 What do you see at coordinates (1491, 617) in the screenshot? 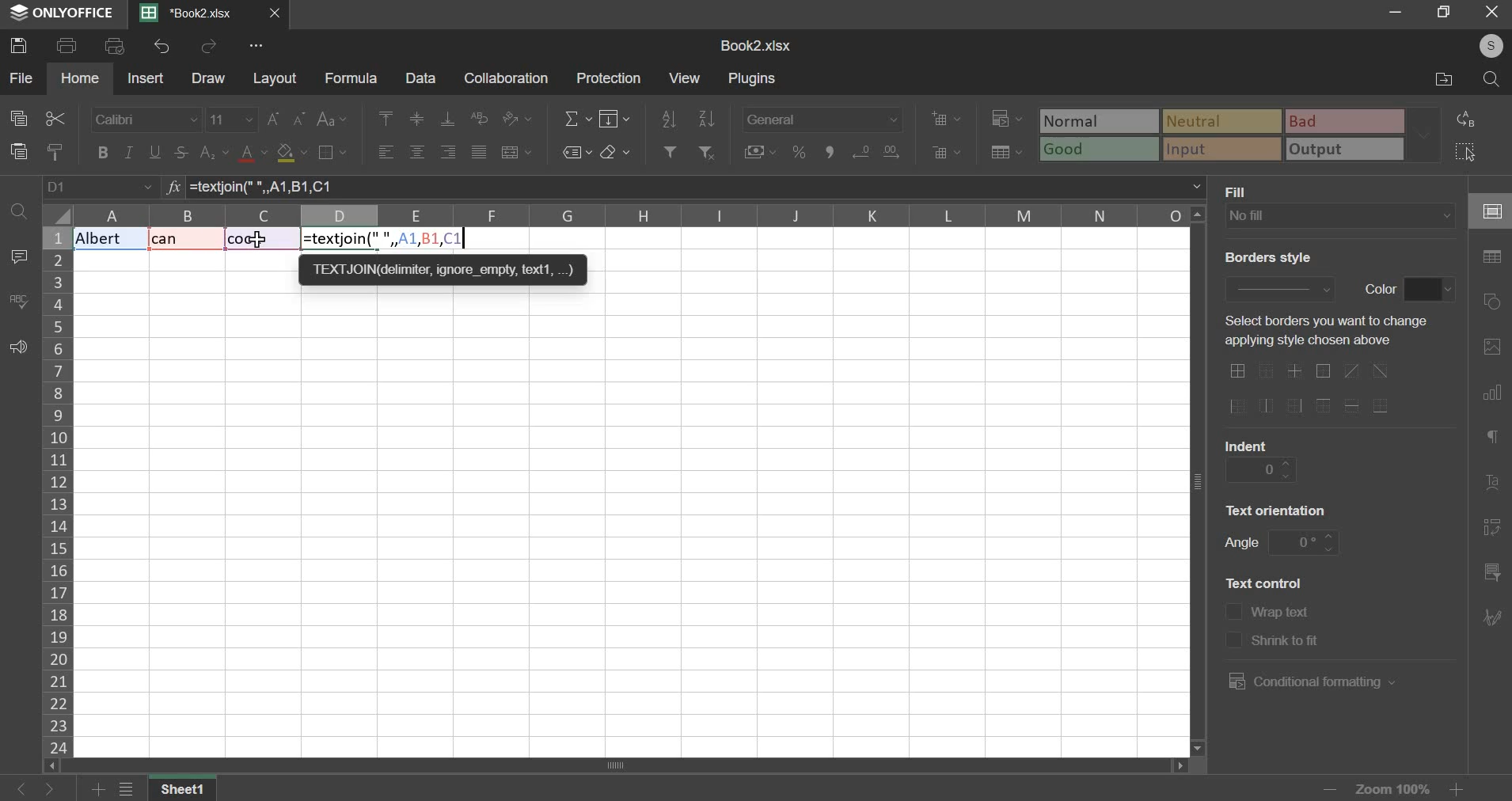
I see `signature` at bounding box center [1491, 617].